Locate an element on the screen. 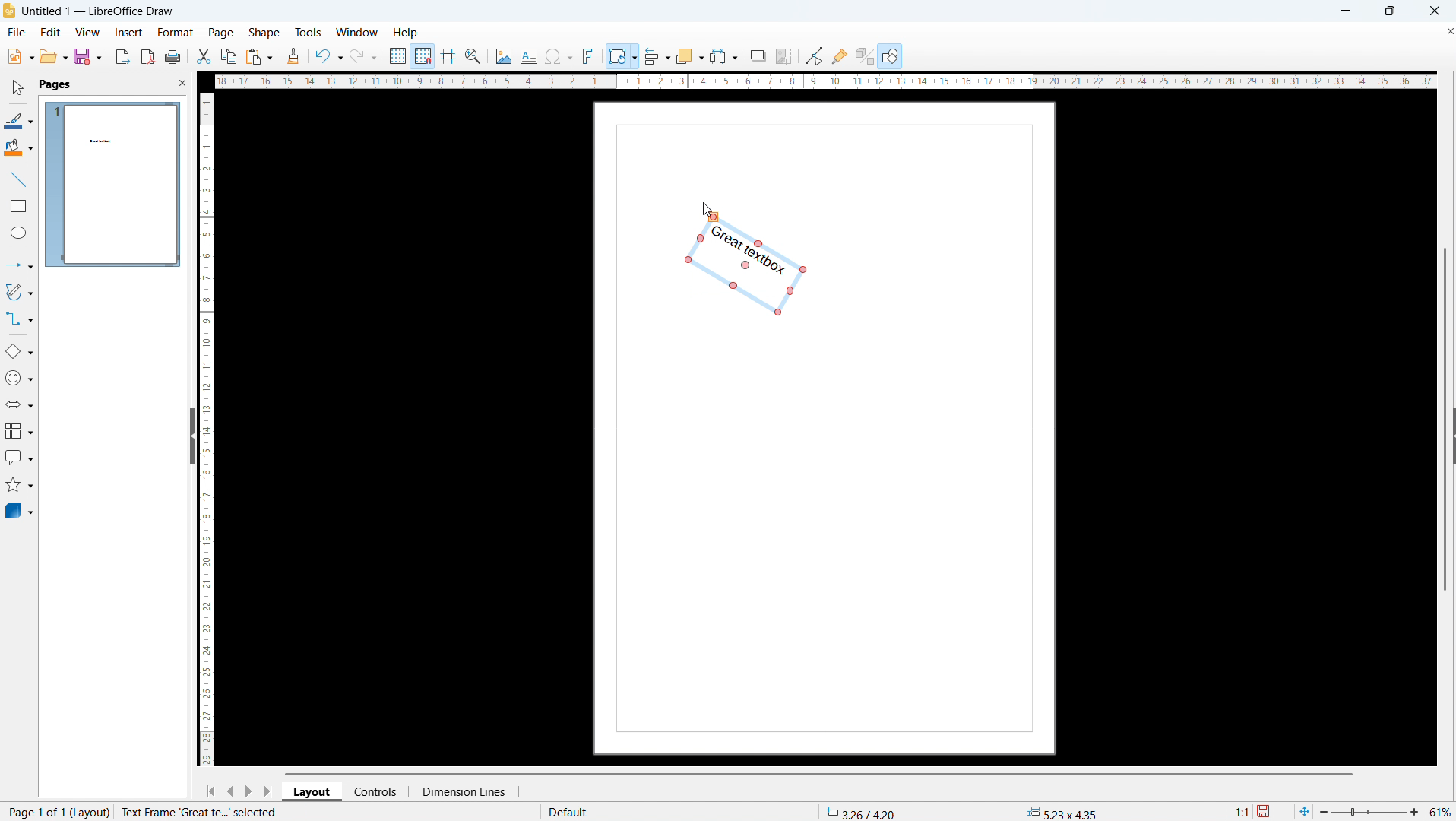 The height and width of the screenshot is (821, 1456). pages is located at coordinates (55, 84).